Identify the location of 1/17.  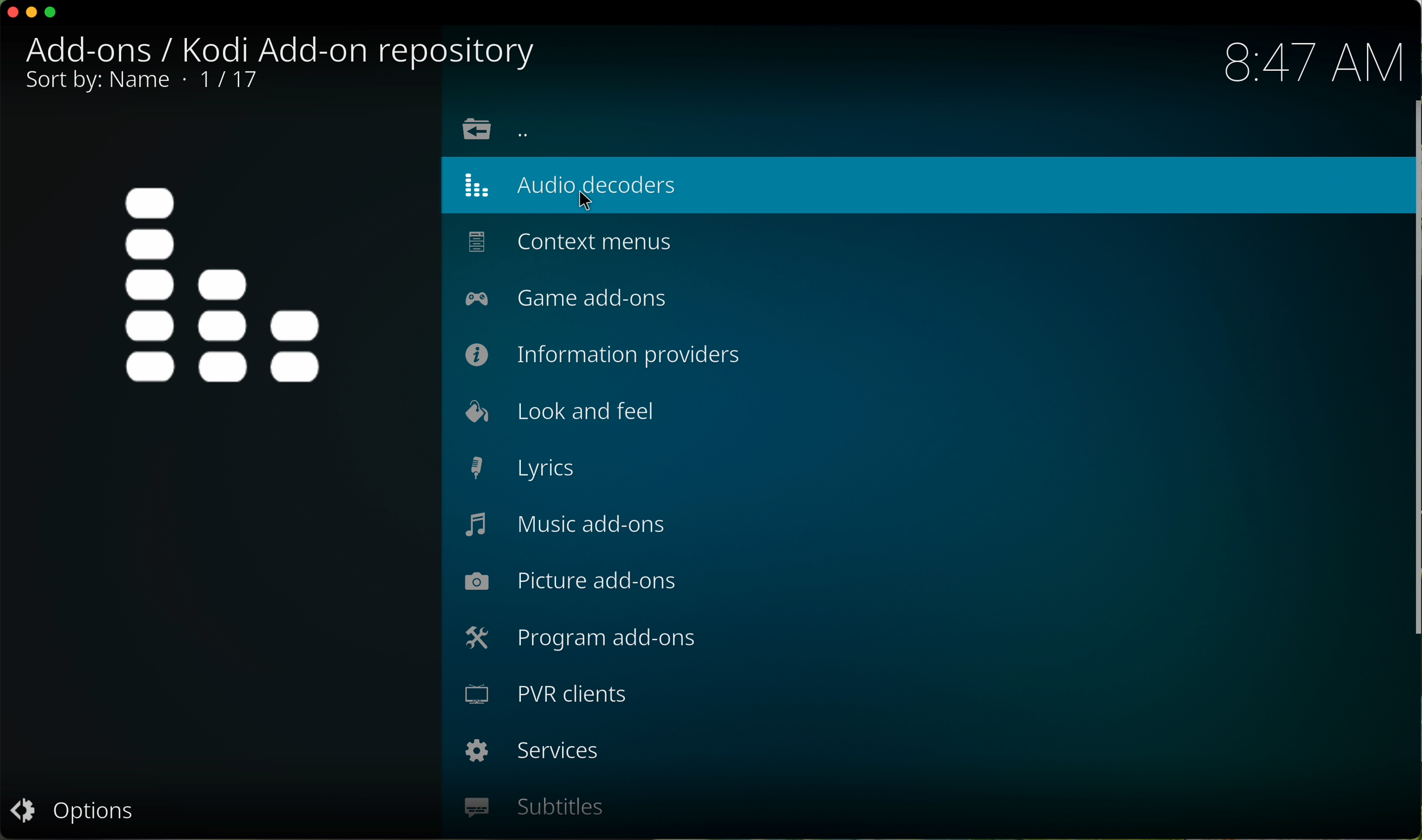
(139, 82).